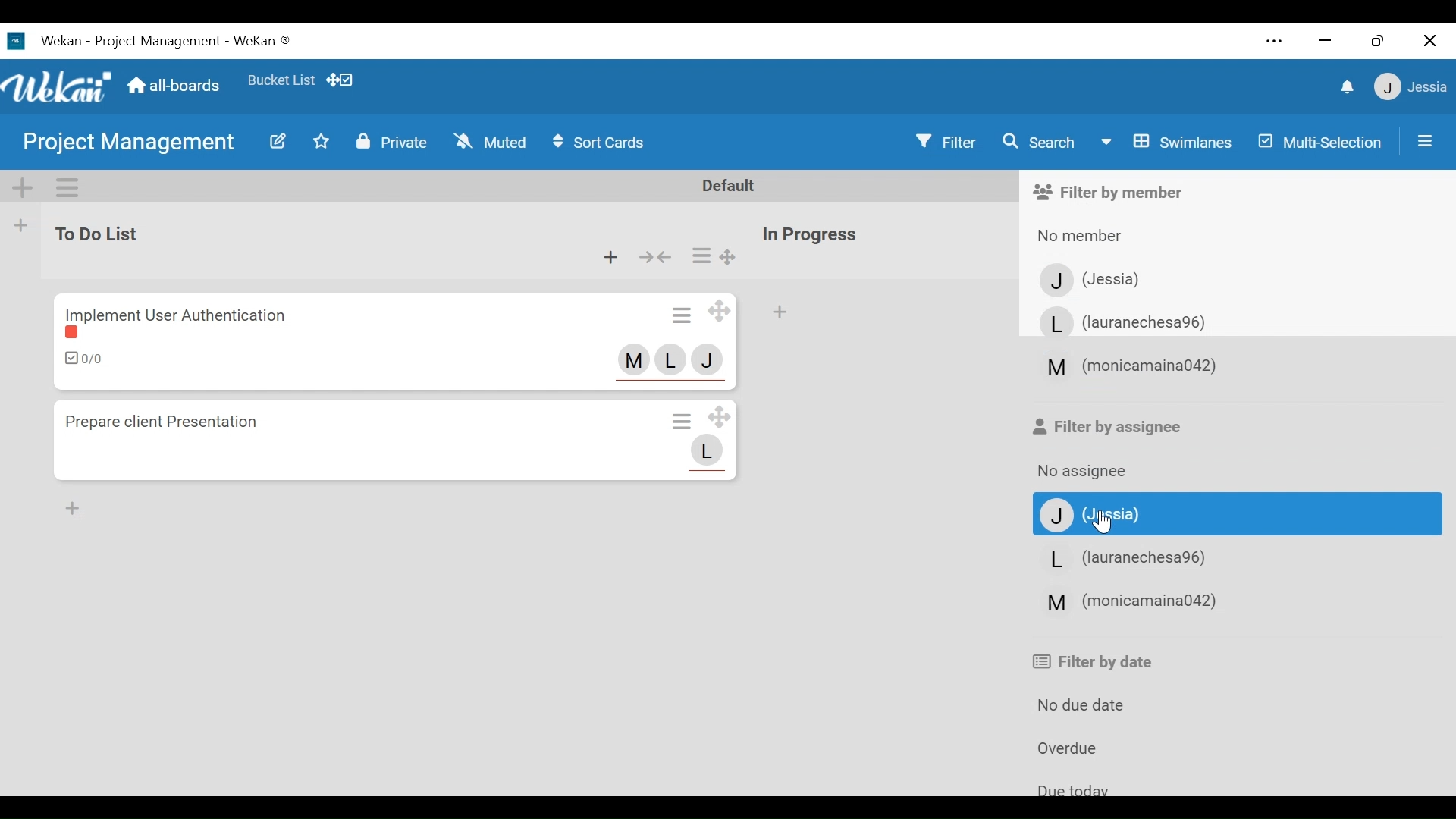 This screenshot has height=819, width=1456. Describe the element at coordinates (1429, 39) in the screenshot. I see `Close` at that location.